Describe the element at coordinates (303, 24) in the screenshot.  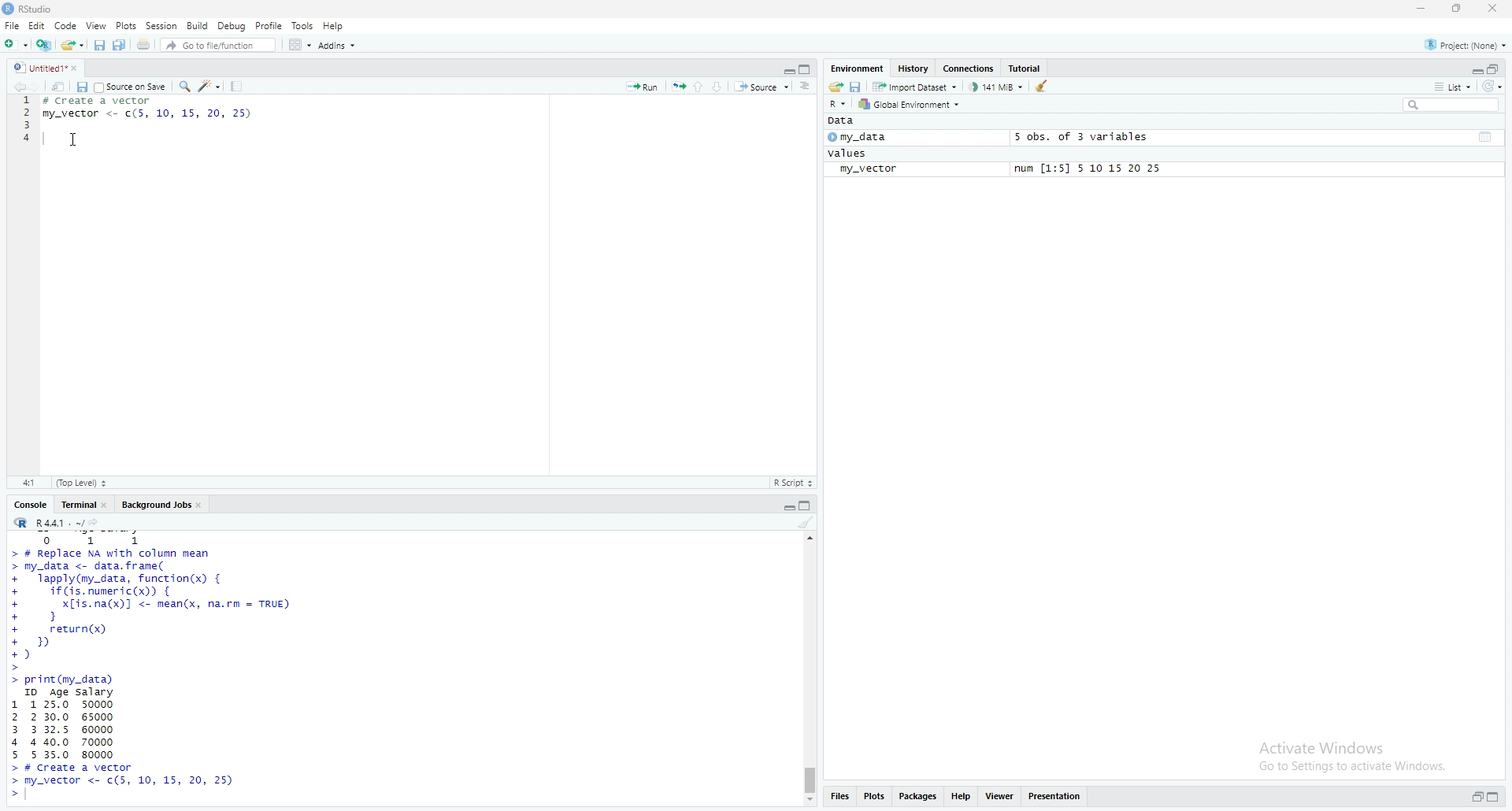
I see `tools` at that location.